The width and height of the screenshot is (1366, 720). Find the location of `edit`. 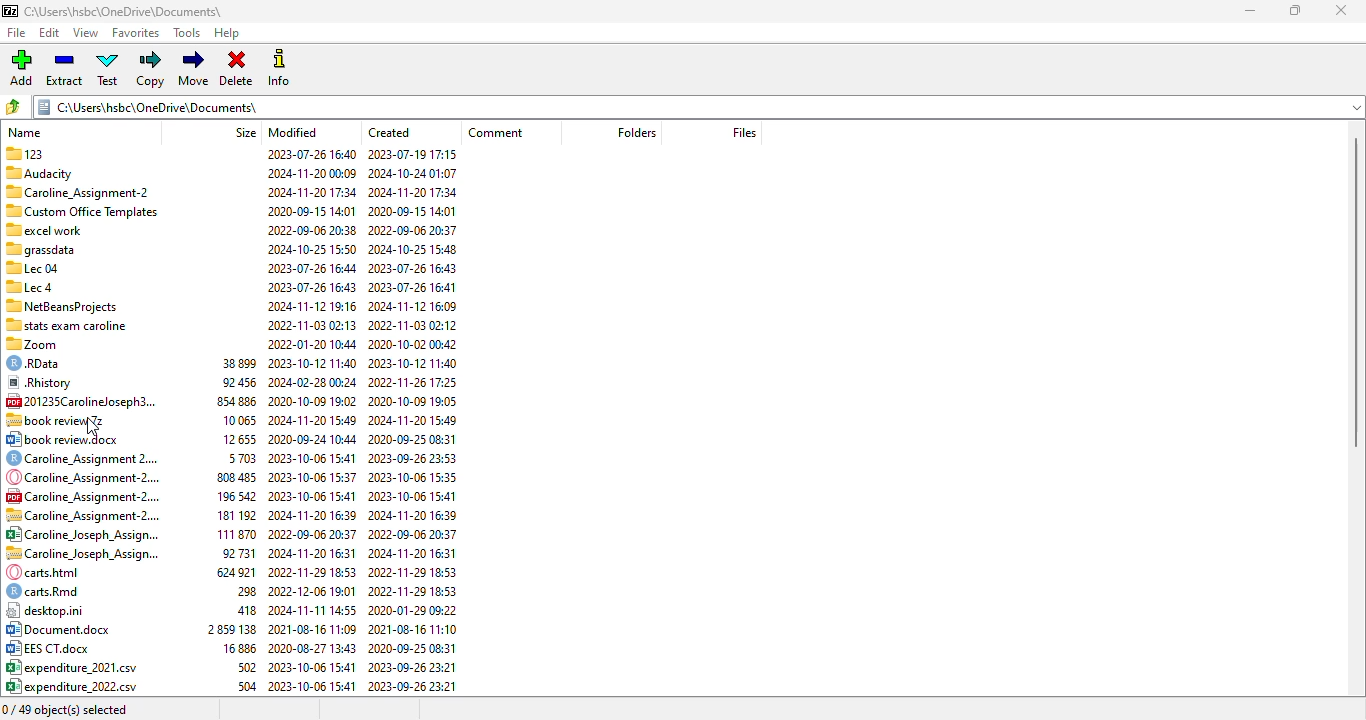

edit is located at coordinates (49, 32).